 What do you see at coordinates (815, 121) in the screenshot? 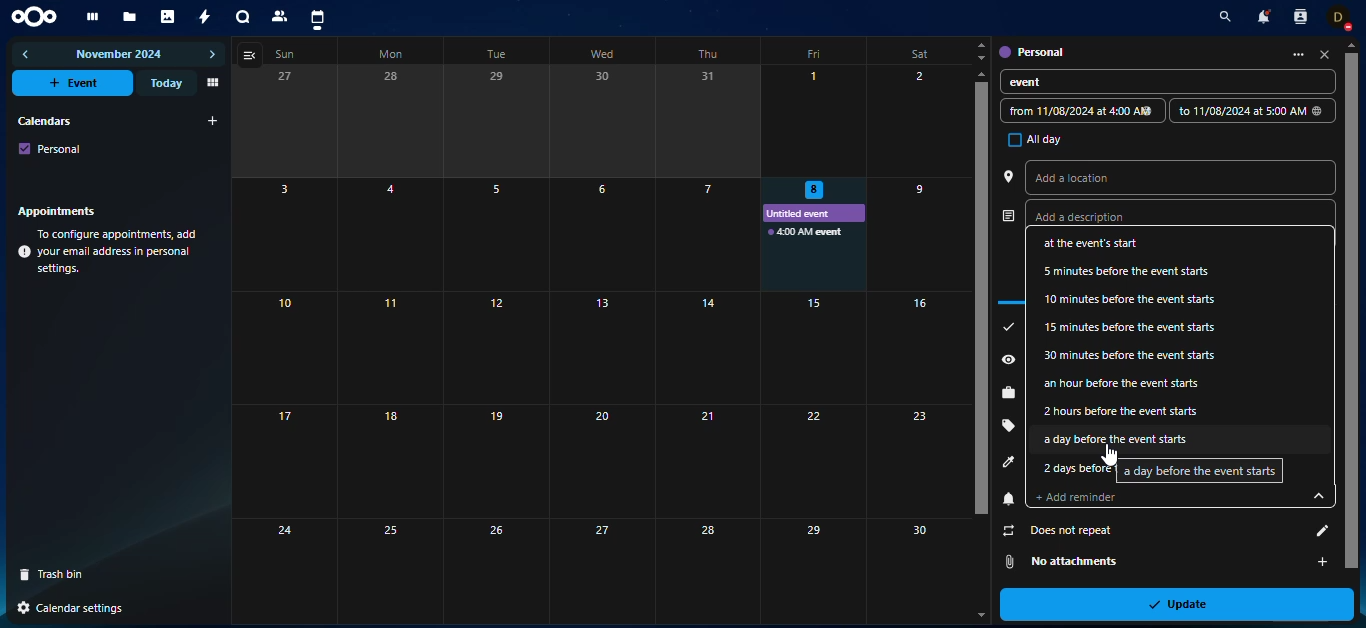
I see `1` at bounding box center [815, 121].